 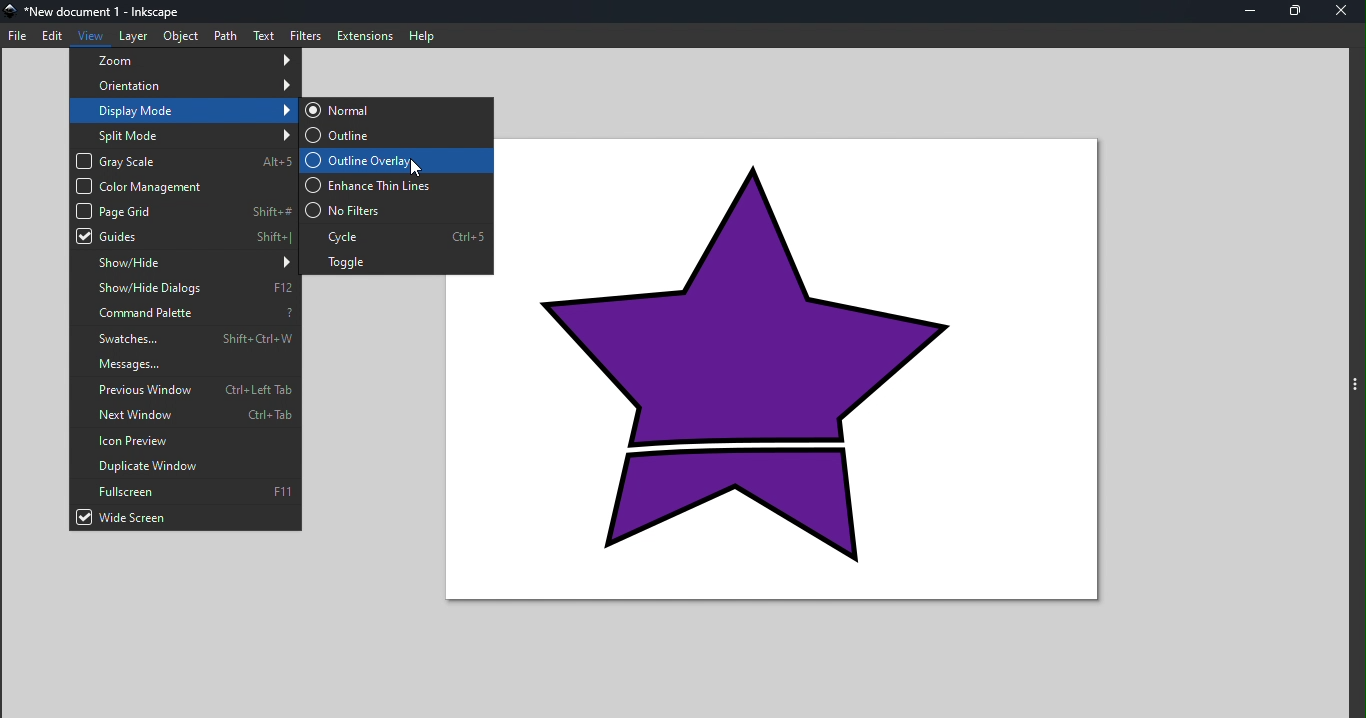 What do you see at coordinates (1342, 12) in the screenshot?
I see `Close` at bounding box center [1342, 12].